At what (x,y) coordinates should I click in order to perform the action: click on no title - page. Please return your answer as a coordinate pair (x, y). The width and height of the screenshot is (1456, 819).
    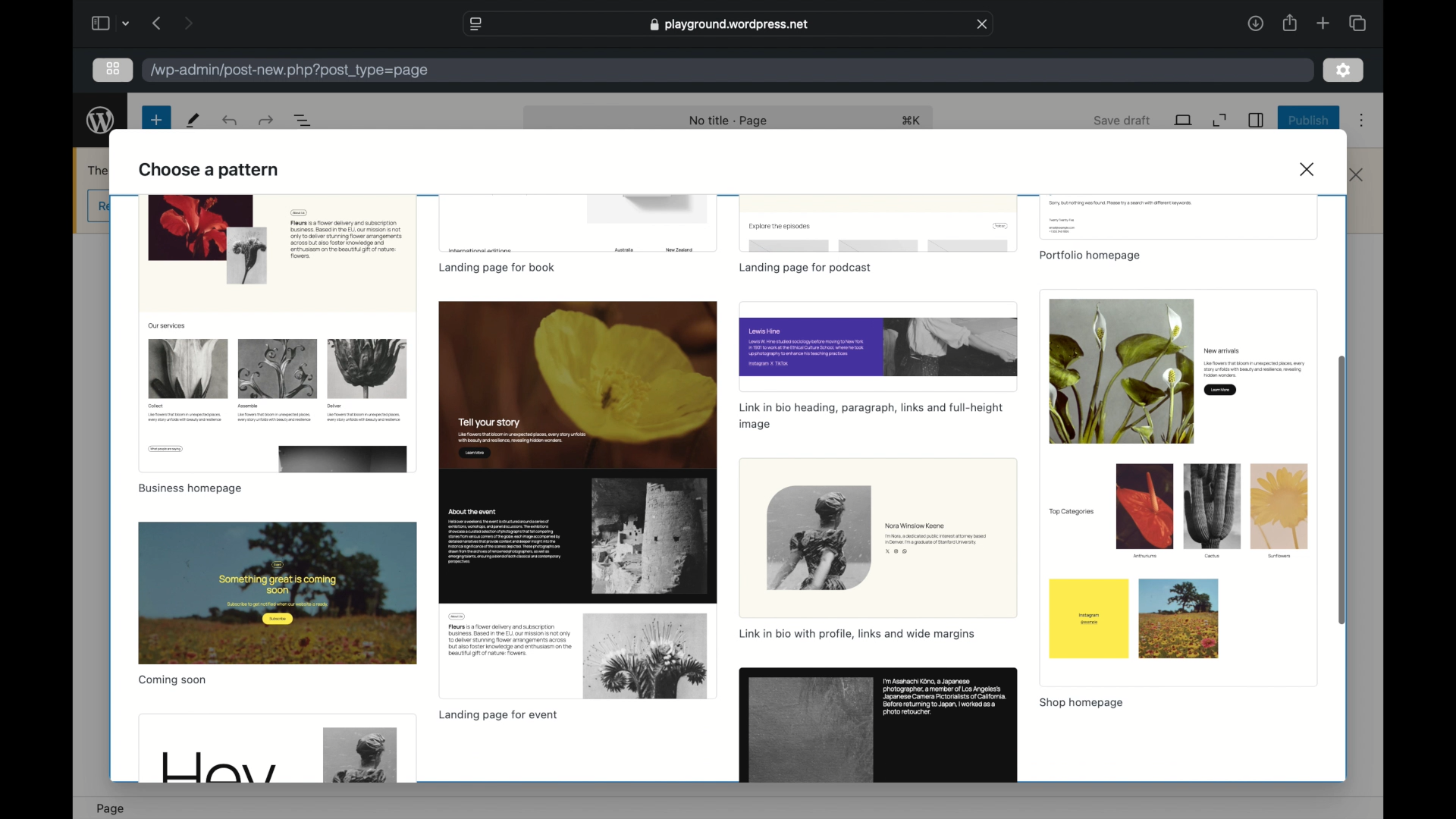
    Looking at the image, I should click on (729, 121).